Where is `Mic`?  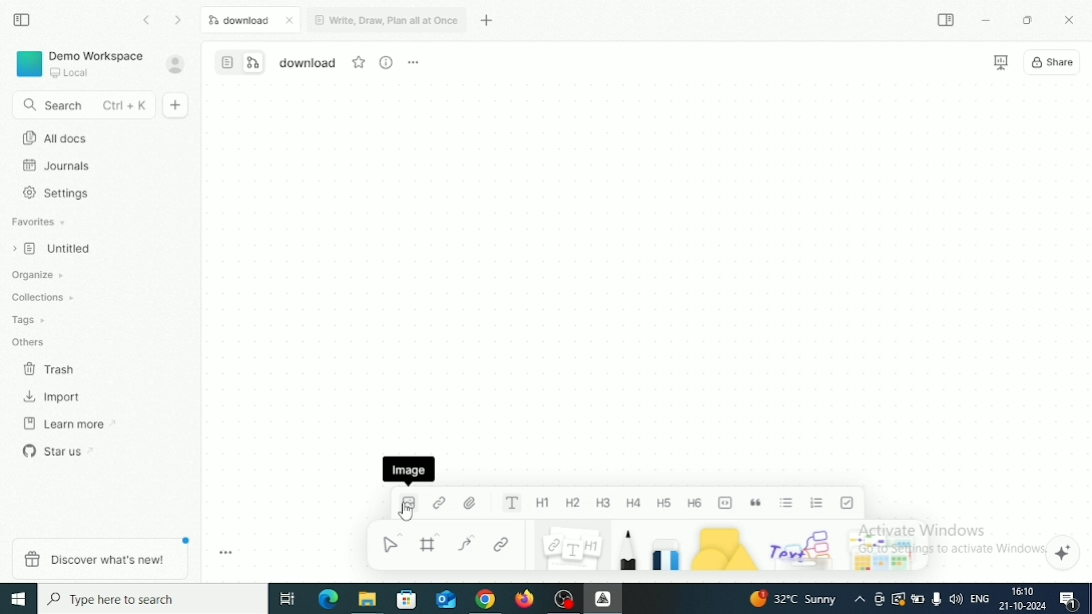 Mic is located at coordinates (936, 599).